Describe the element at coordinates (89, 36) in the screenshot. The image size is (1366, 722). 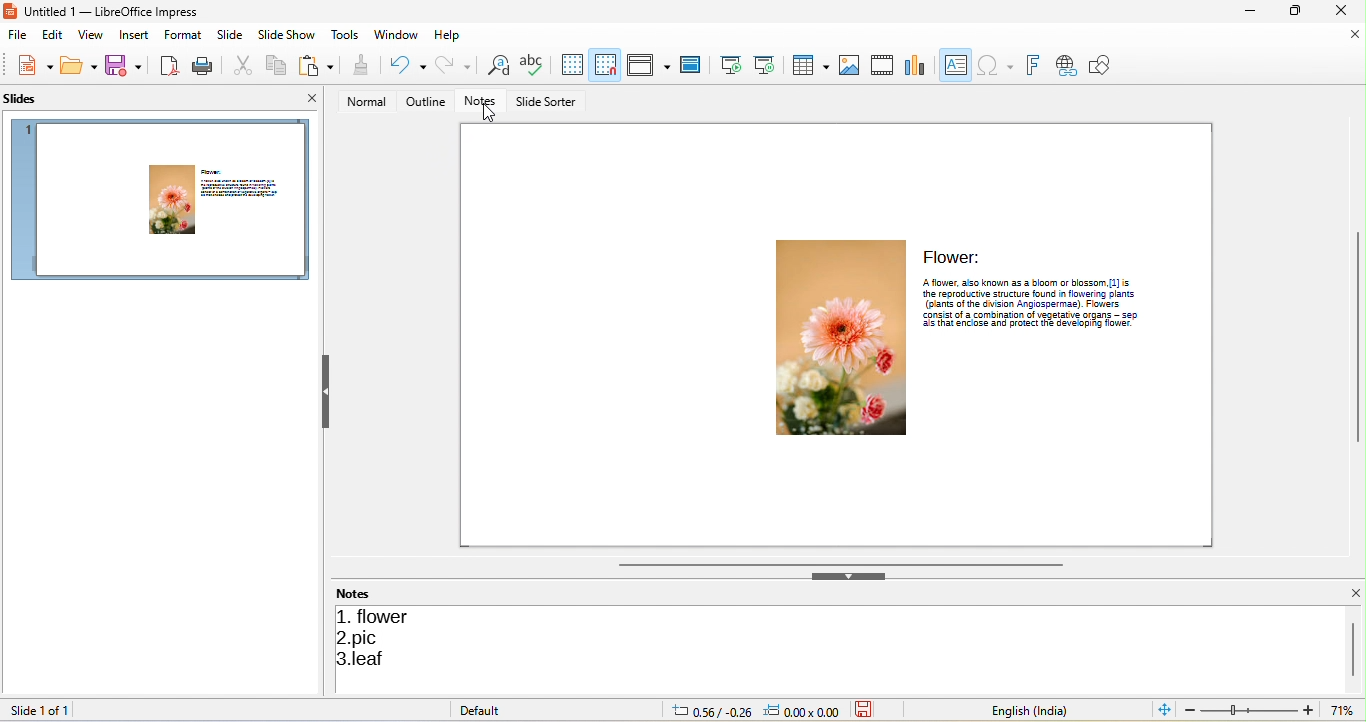
I see `view` at that location.